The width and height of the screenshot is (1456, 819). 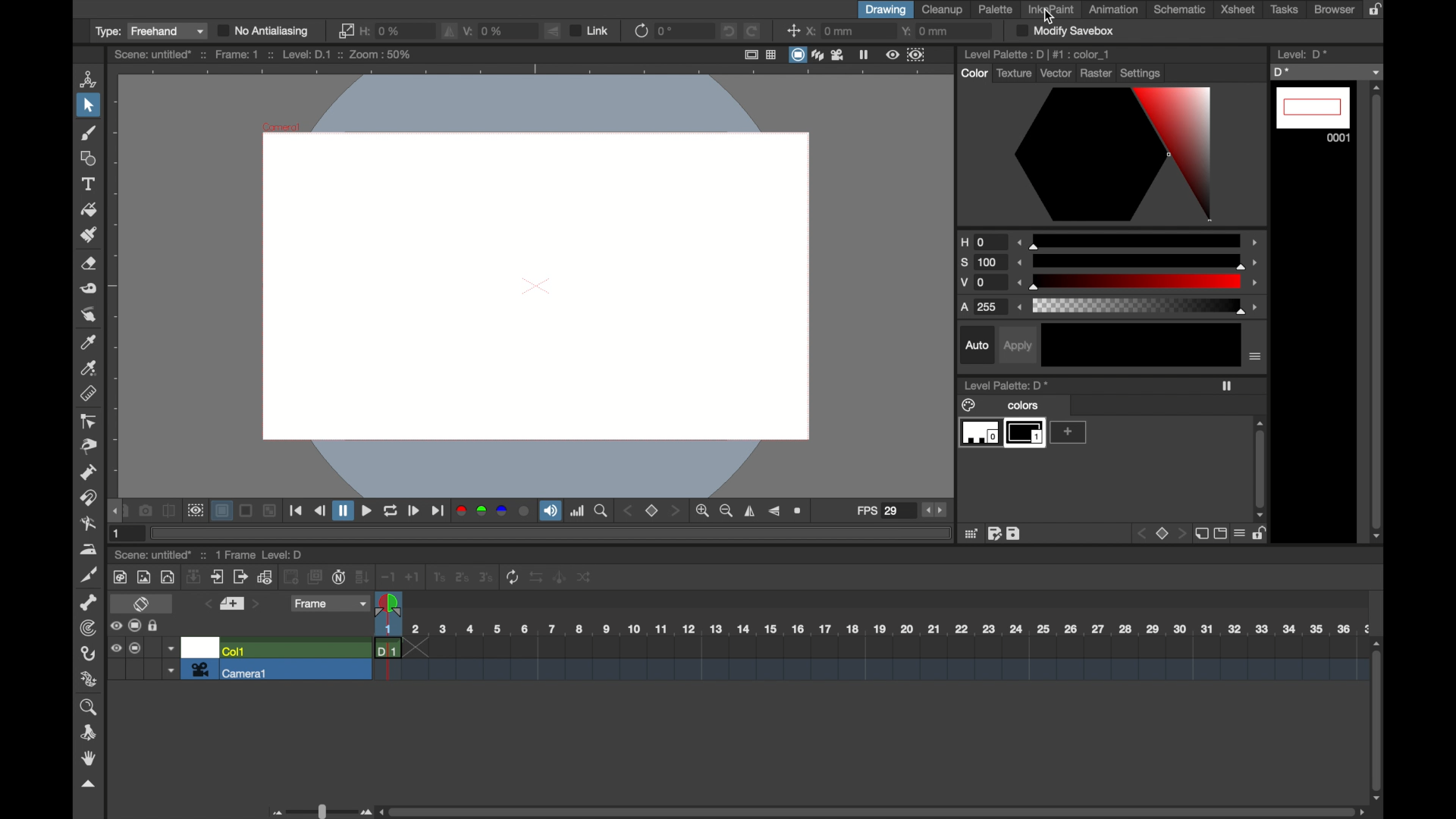 I want to click on compare to snapshot, so click(x=169, y=511).